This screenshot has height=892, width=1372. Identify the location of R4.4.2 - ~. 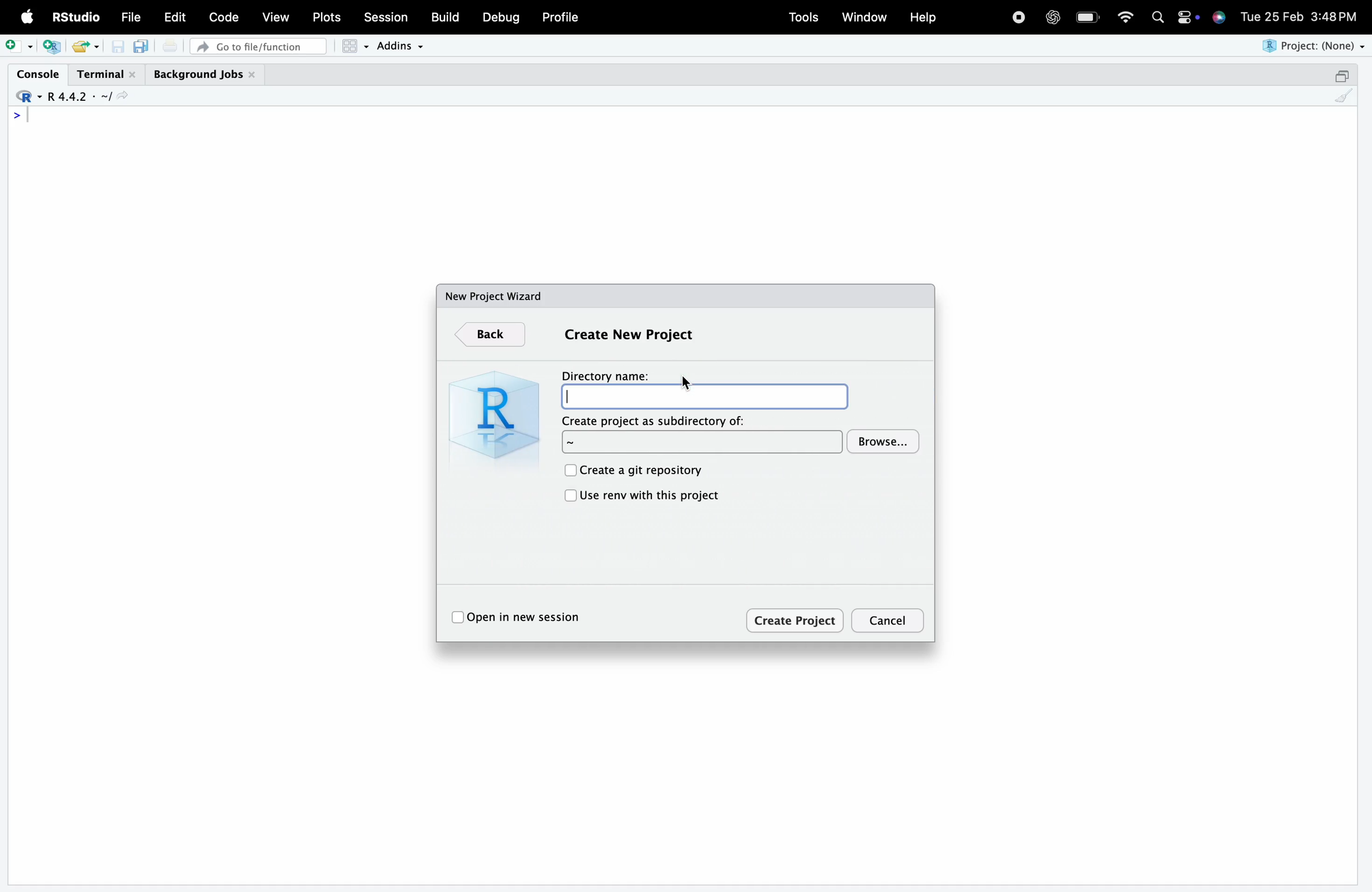
(77, 97).